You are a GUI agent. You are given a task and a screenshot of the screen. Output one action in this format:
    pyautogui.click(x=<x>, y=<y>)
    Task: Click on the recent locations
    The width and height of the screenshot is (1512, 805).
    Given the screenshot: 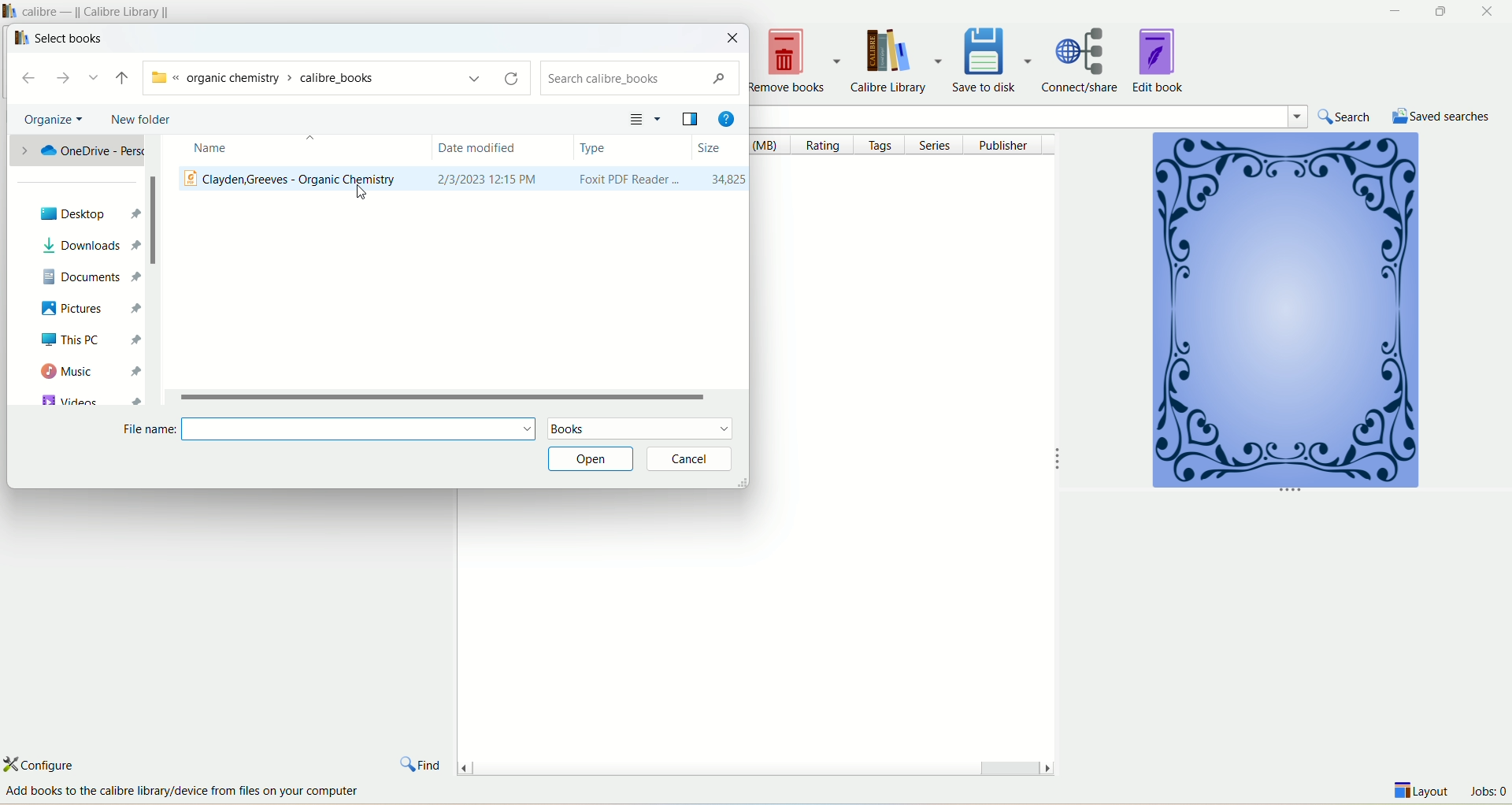 What is the action you would take?
    pyautogui.click(x=95, y=78)
    